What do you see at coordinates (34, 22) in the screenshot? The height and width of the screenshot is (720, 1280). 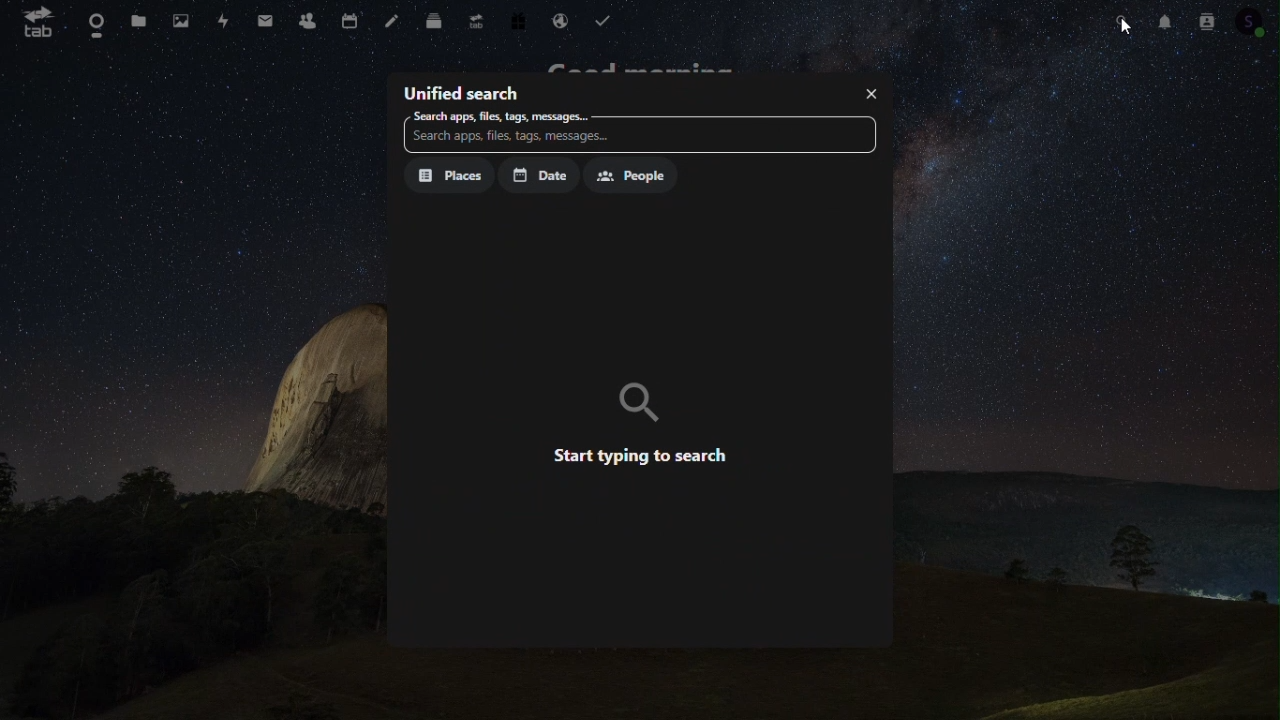 I see `tab` at bounding box center [34, 22].